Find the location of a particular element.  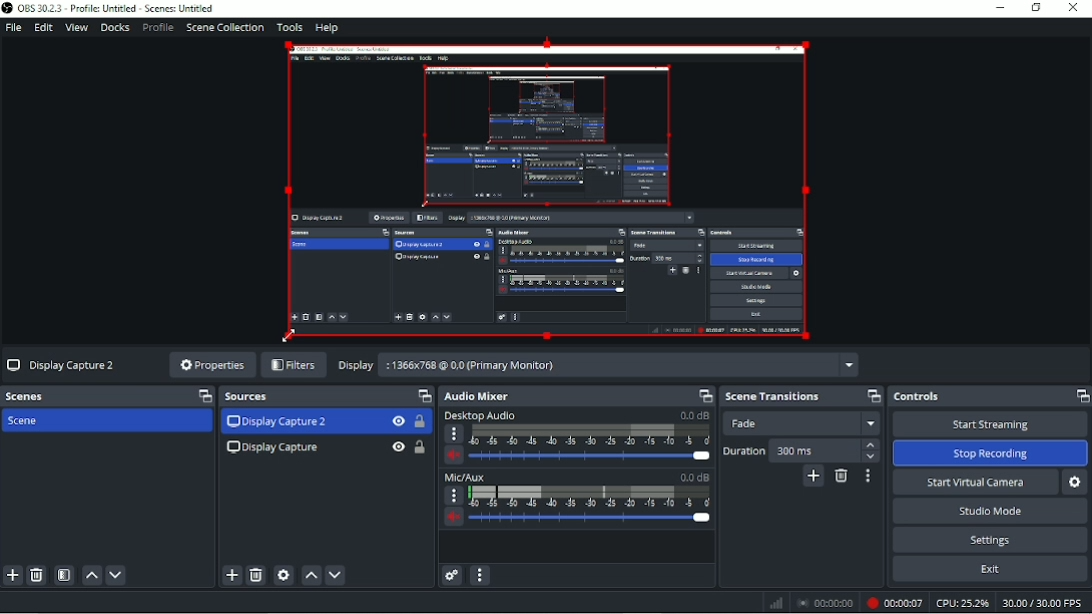

Scene transitions is located at coordinates (774, 397).